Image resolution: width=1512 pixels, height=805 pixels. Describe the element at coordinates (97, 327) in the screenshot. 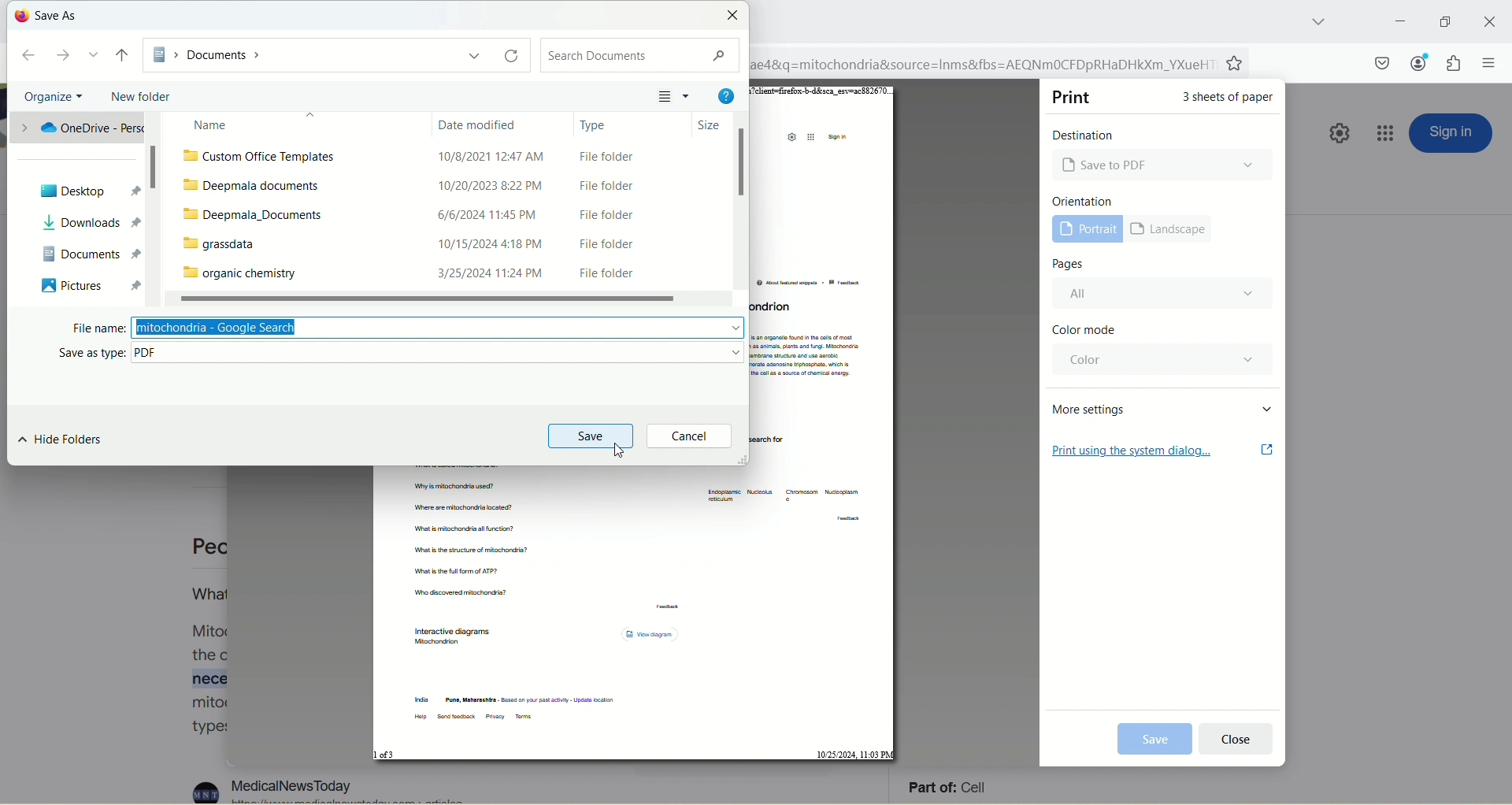

I see `file name` at that location.